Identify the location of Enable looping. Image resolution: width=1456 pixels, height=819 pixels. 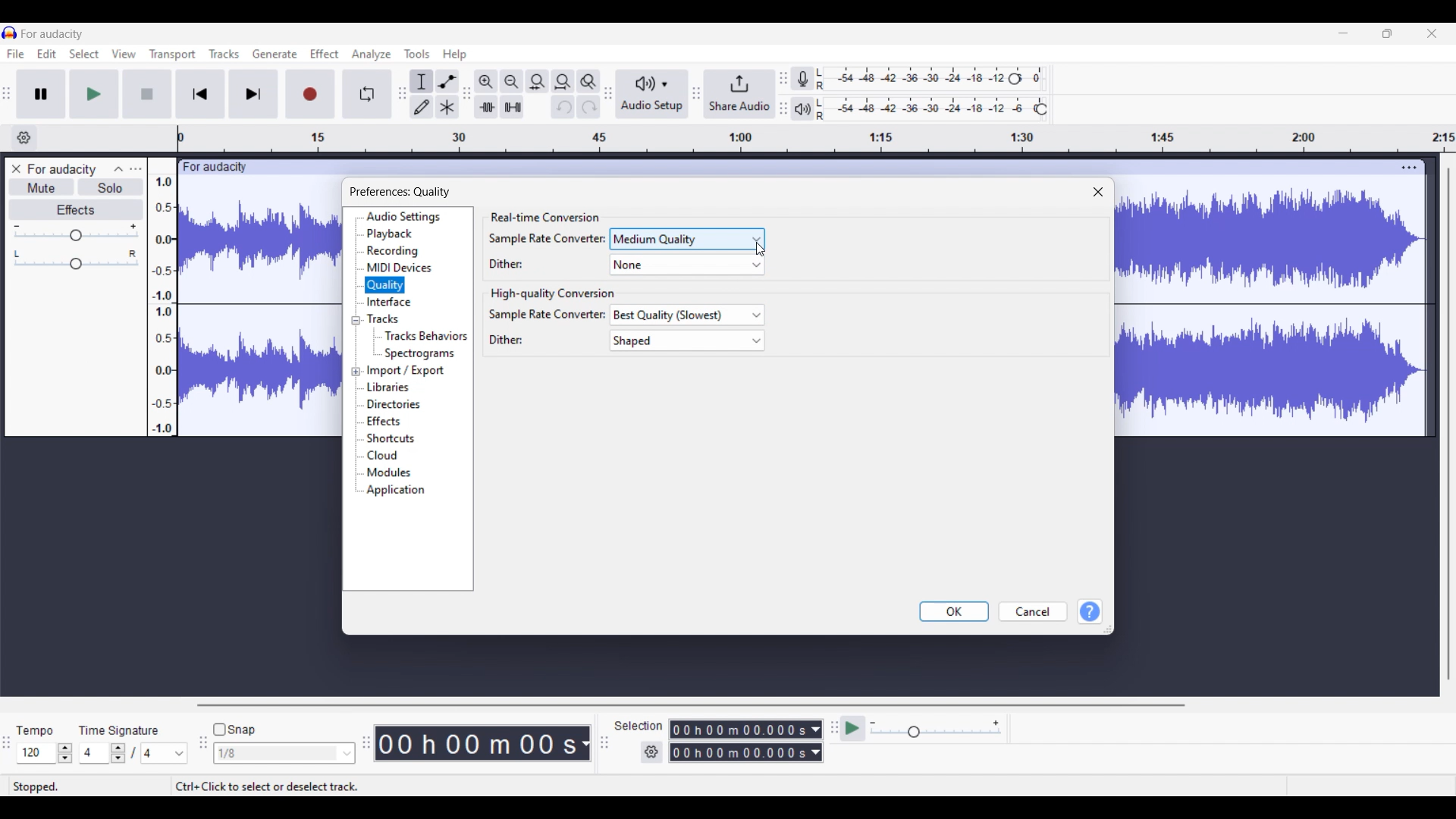
(366, 94).